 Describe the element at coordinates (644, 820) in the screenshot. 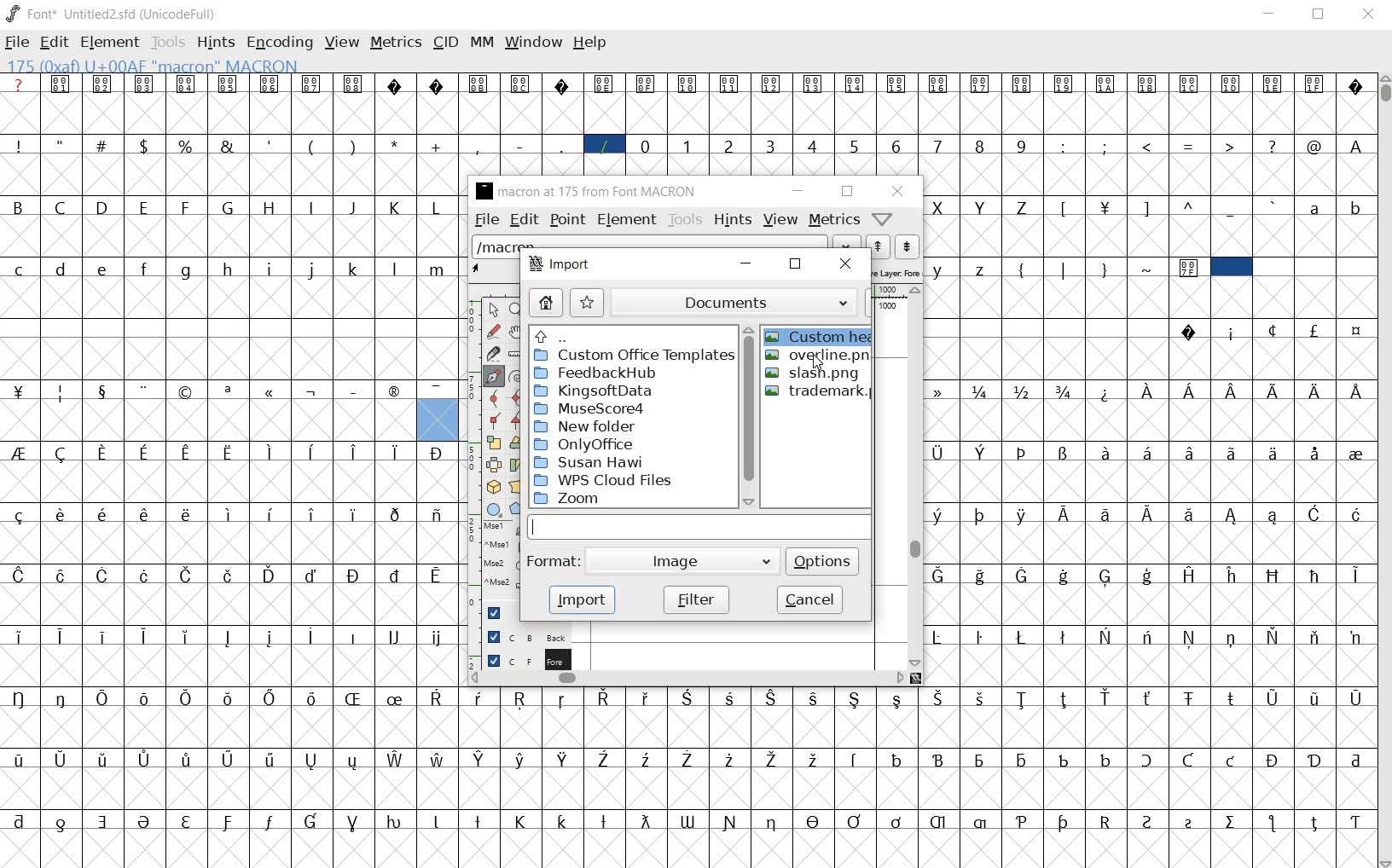

I see `Symbol` at that location.